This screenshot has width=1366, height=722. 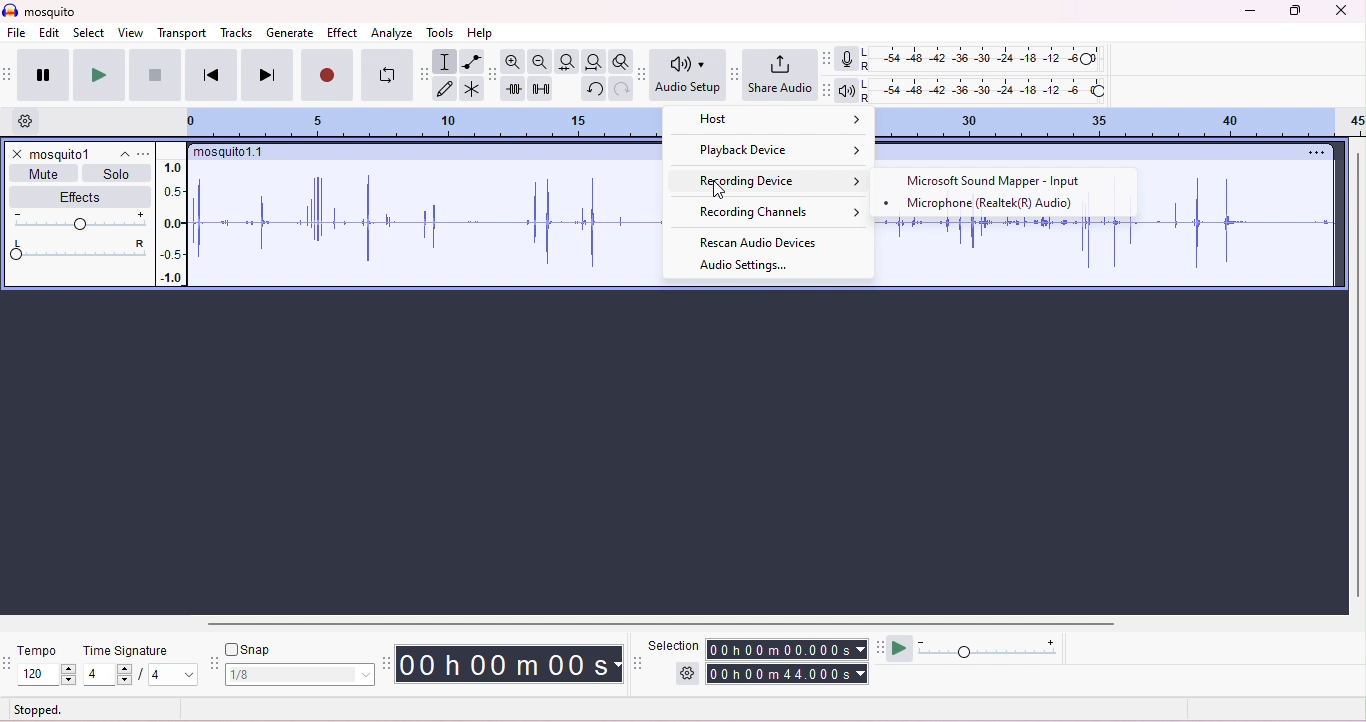 What do you see at coordinates (900, 646) in the screenshot?
I see `play at speed/play at speed once` at bounding box center [900, 646].